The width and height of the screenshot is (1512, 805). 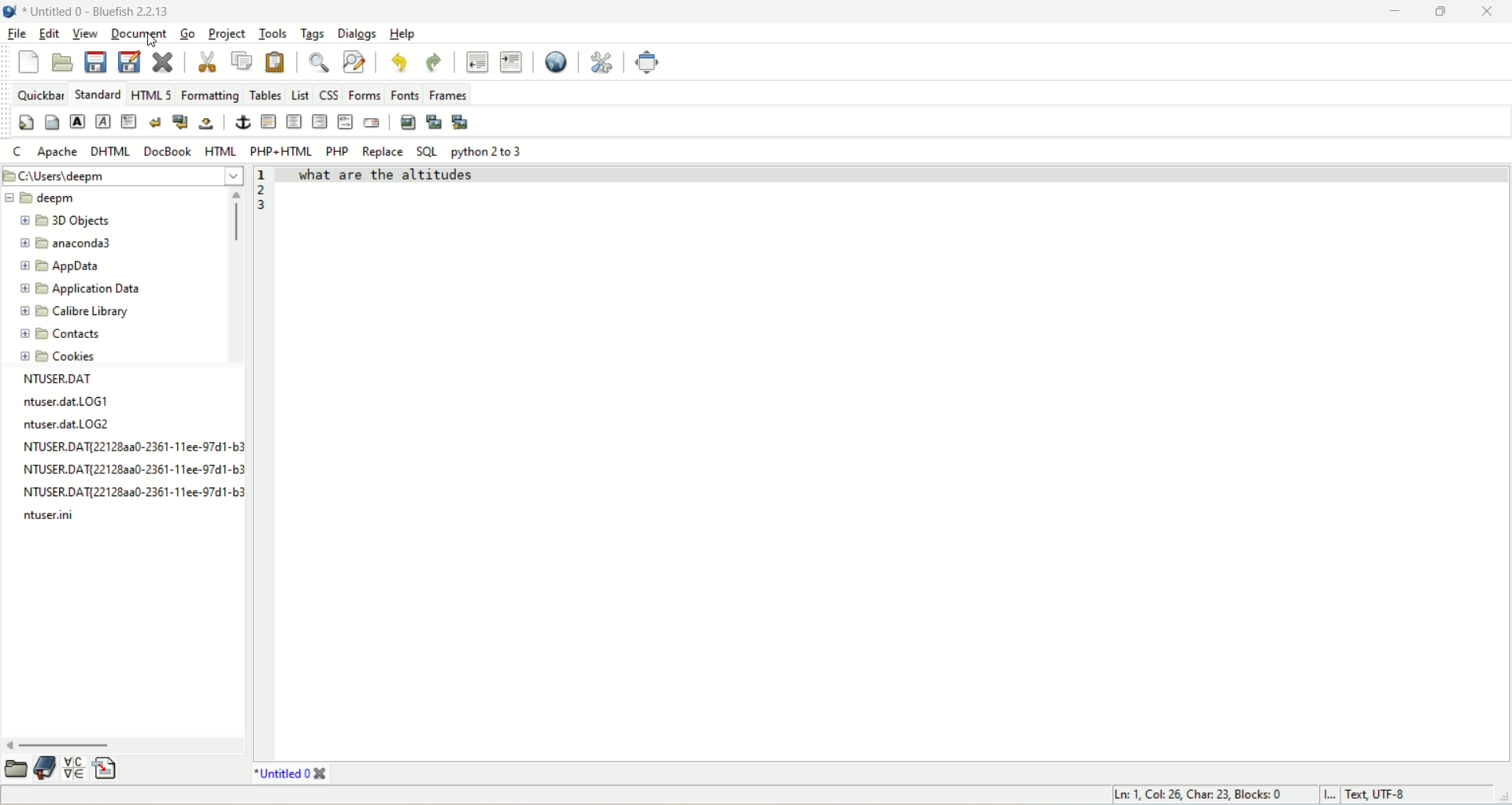 What do you see at coordinates (162, 63) in the screenshot?
I see `close current file` at bounding box center [162, 63].